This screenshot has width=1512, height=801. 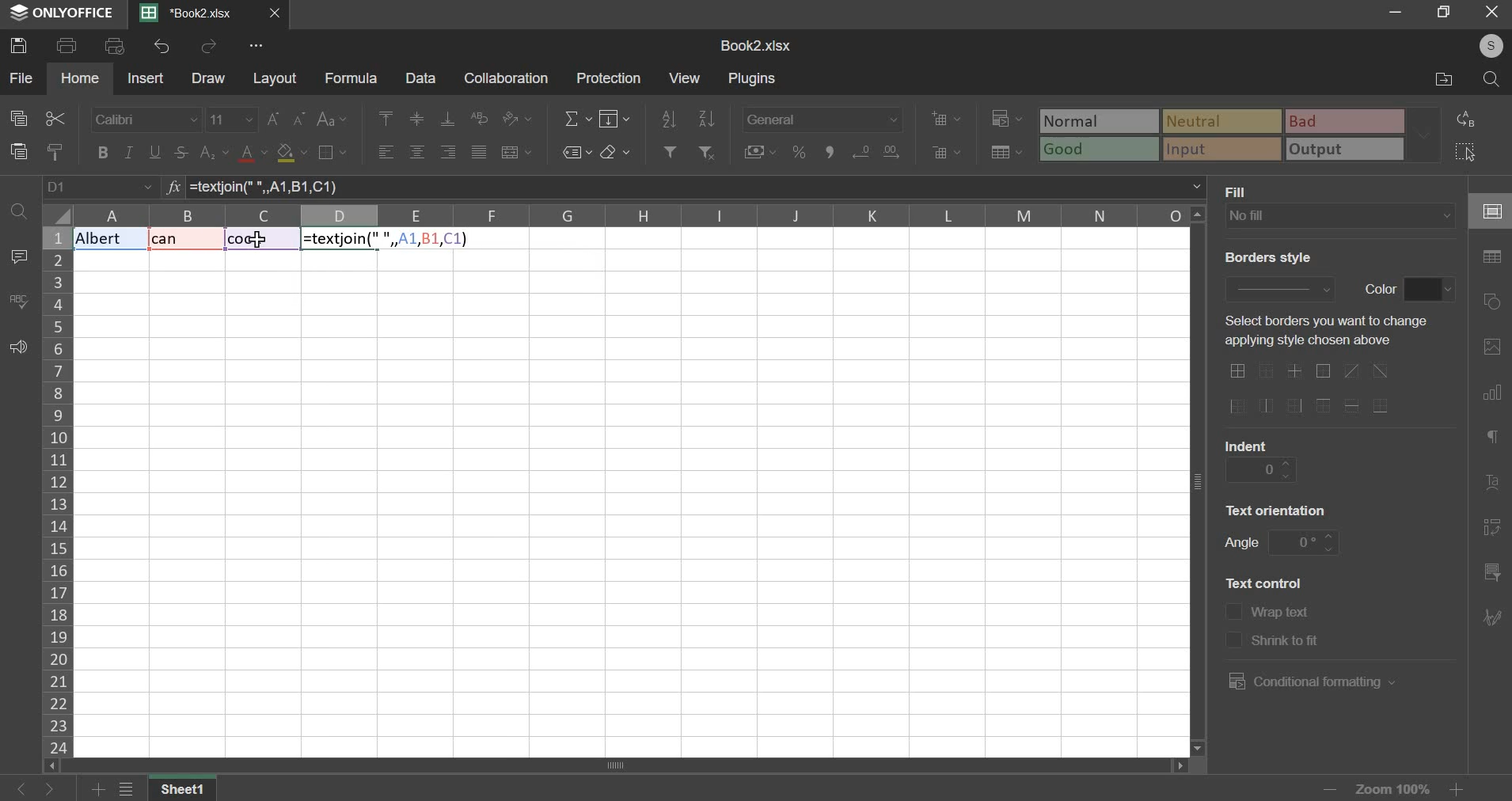 I want to click on close, so click(x=279, y=15).